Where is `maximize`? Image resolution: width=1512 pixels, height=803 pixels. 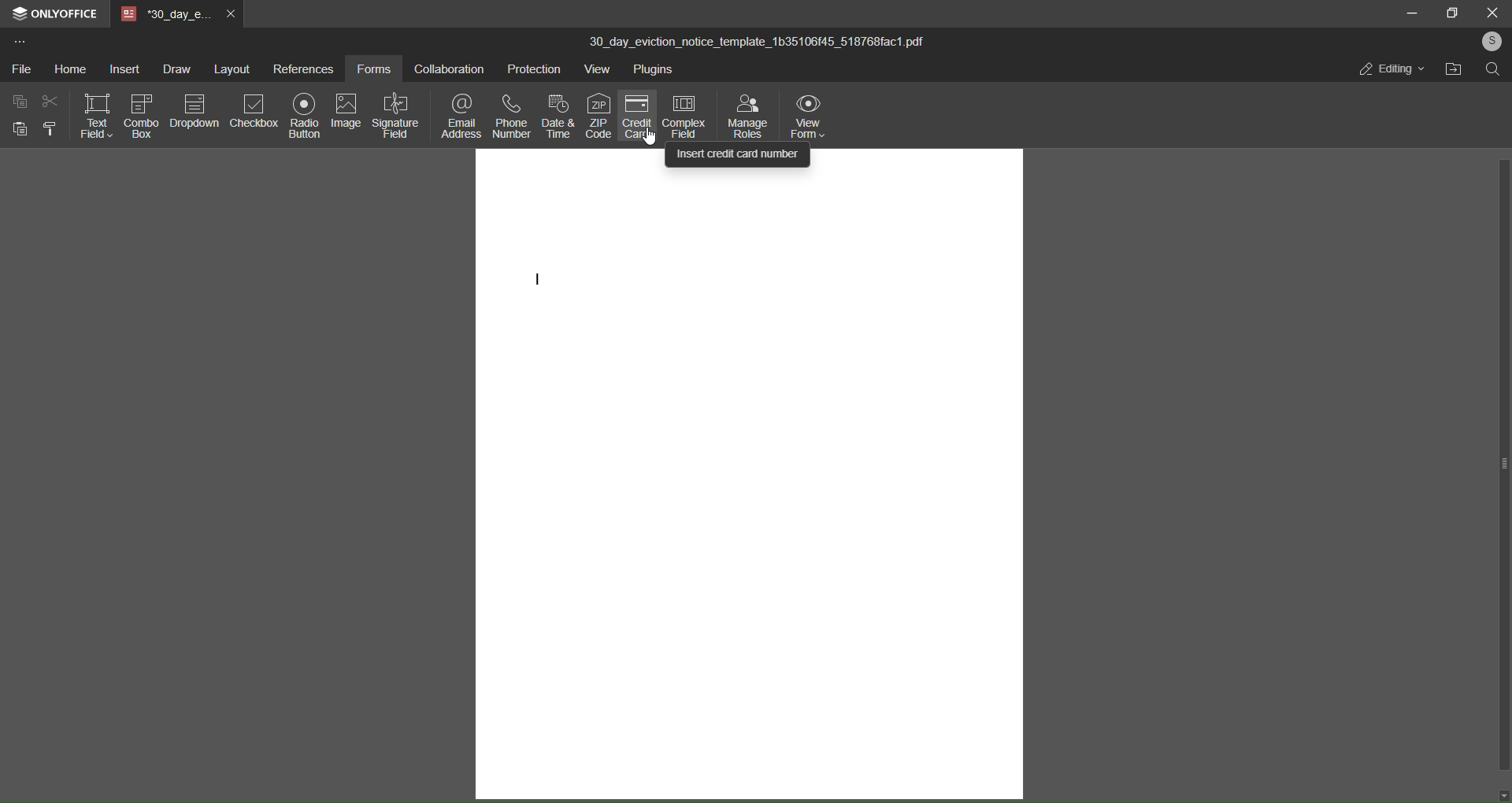
maximize is located at coordinates (1451, 13).